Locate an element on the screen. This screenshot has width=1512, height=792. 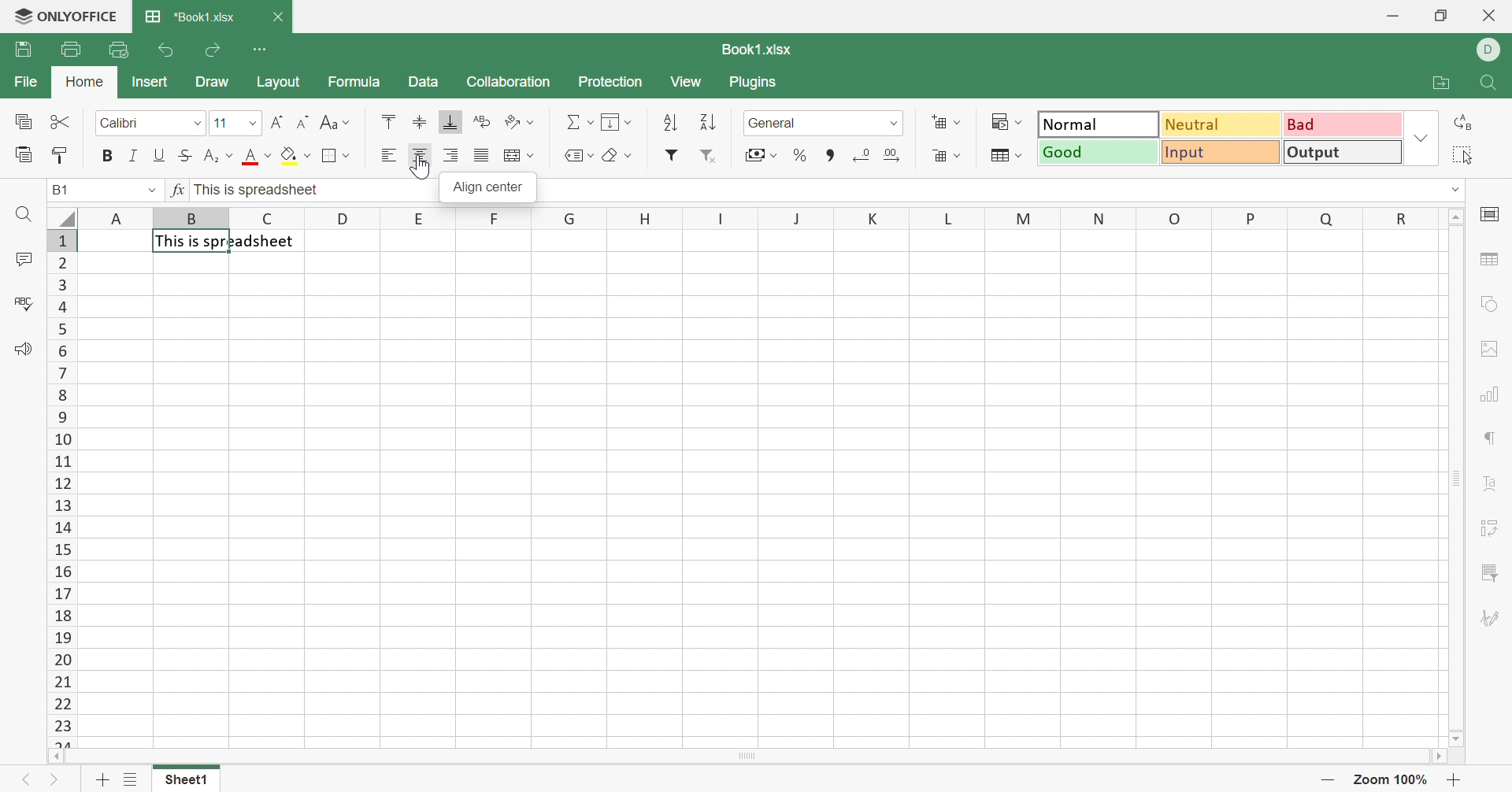
Ascending order is located at coordinates (672, 122).